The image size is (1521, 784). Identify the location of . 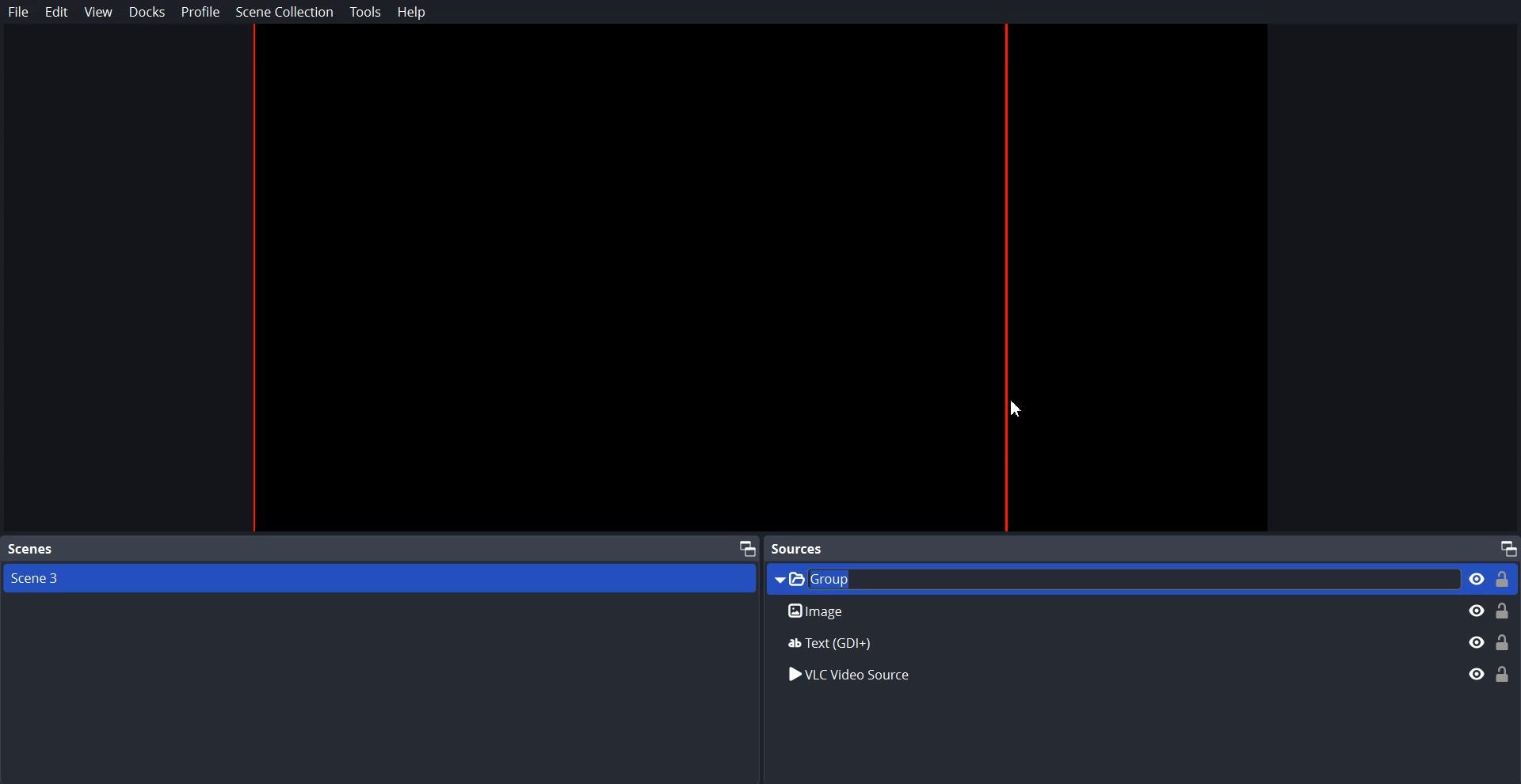
(1138, 676).